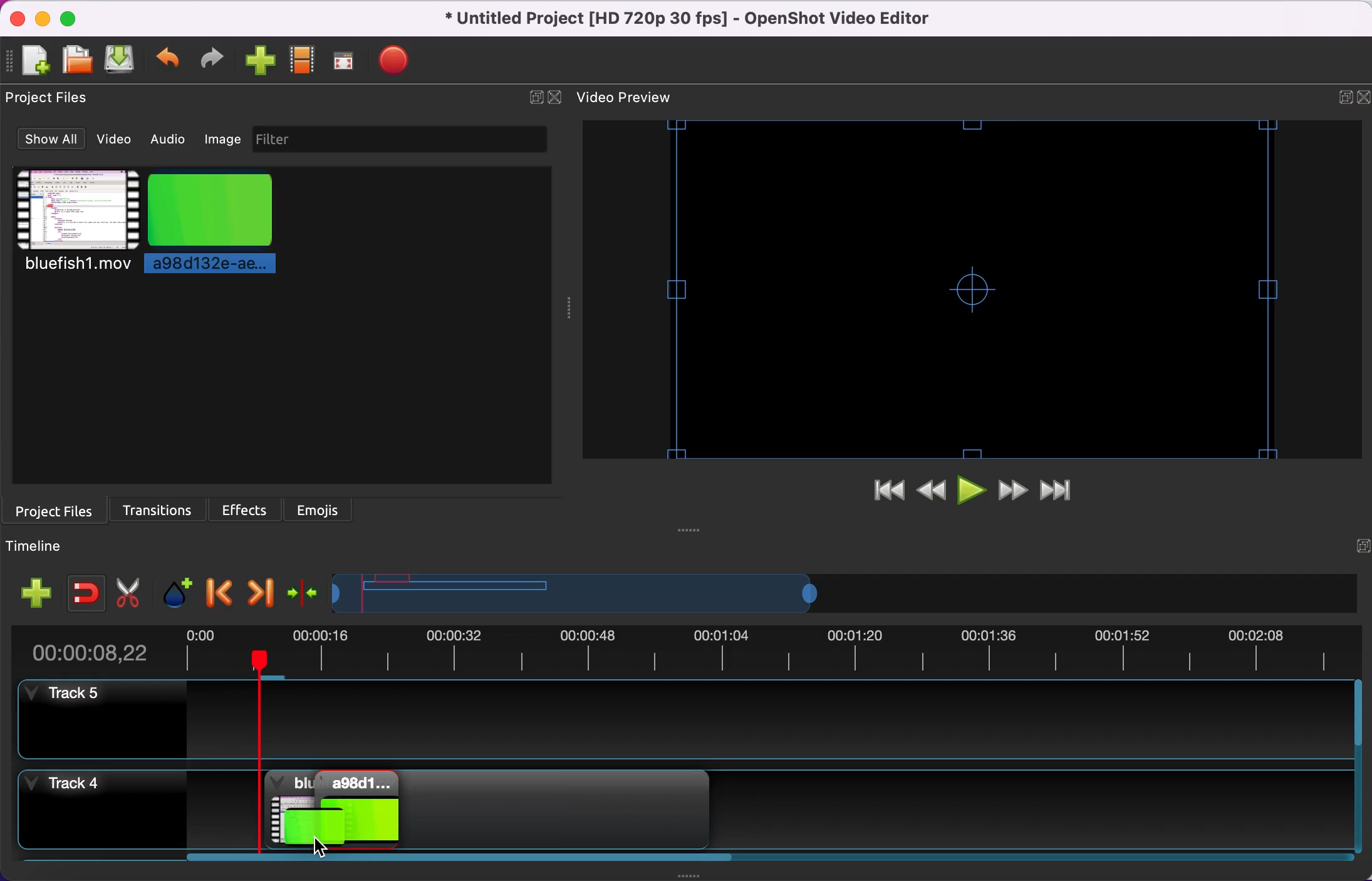 The width and height of the screenshot is (1372, 881). I want to click on video, so click(118, 141).